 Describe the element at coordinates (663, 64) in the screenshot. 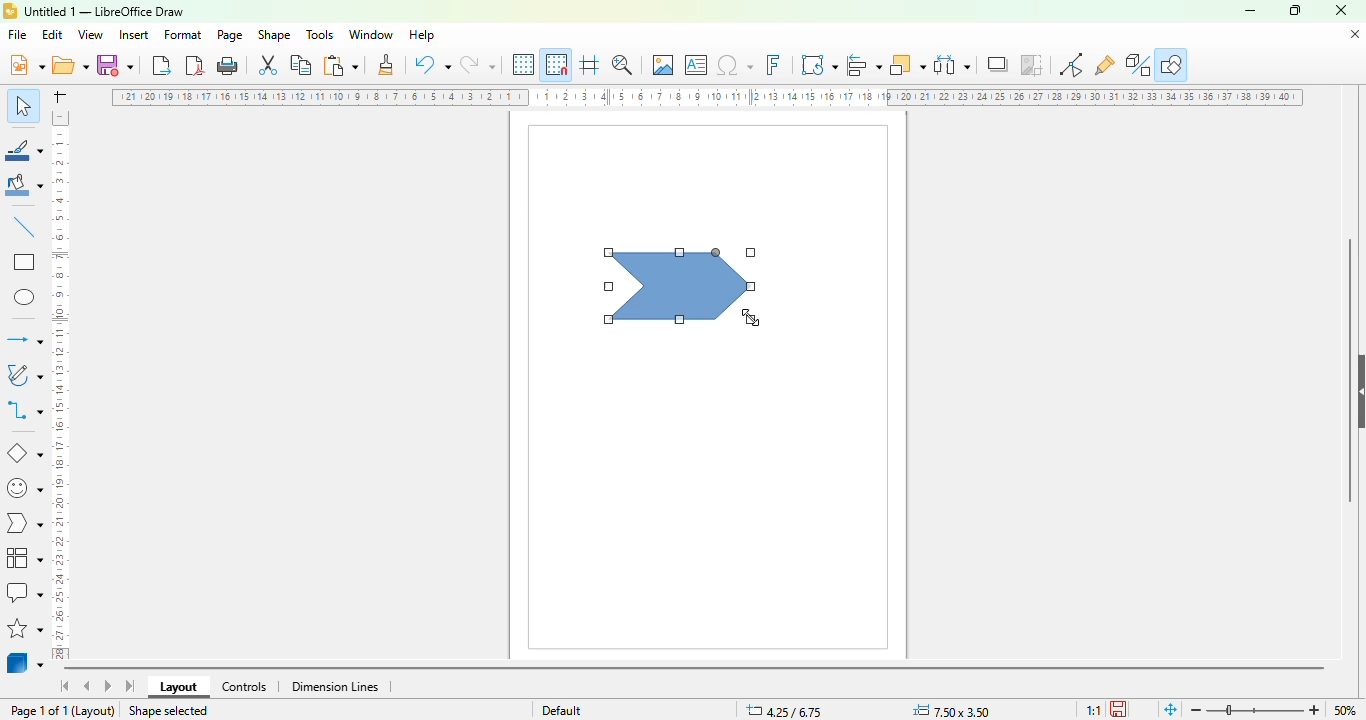

I see `insert image` at that location.